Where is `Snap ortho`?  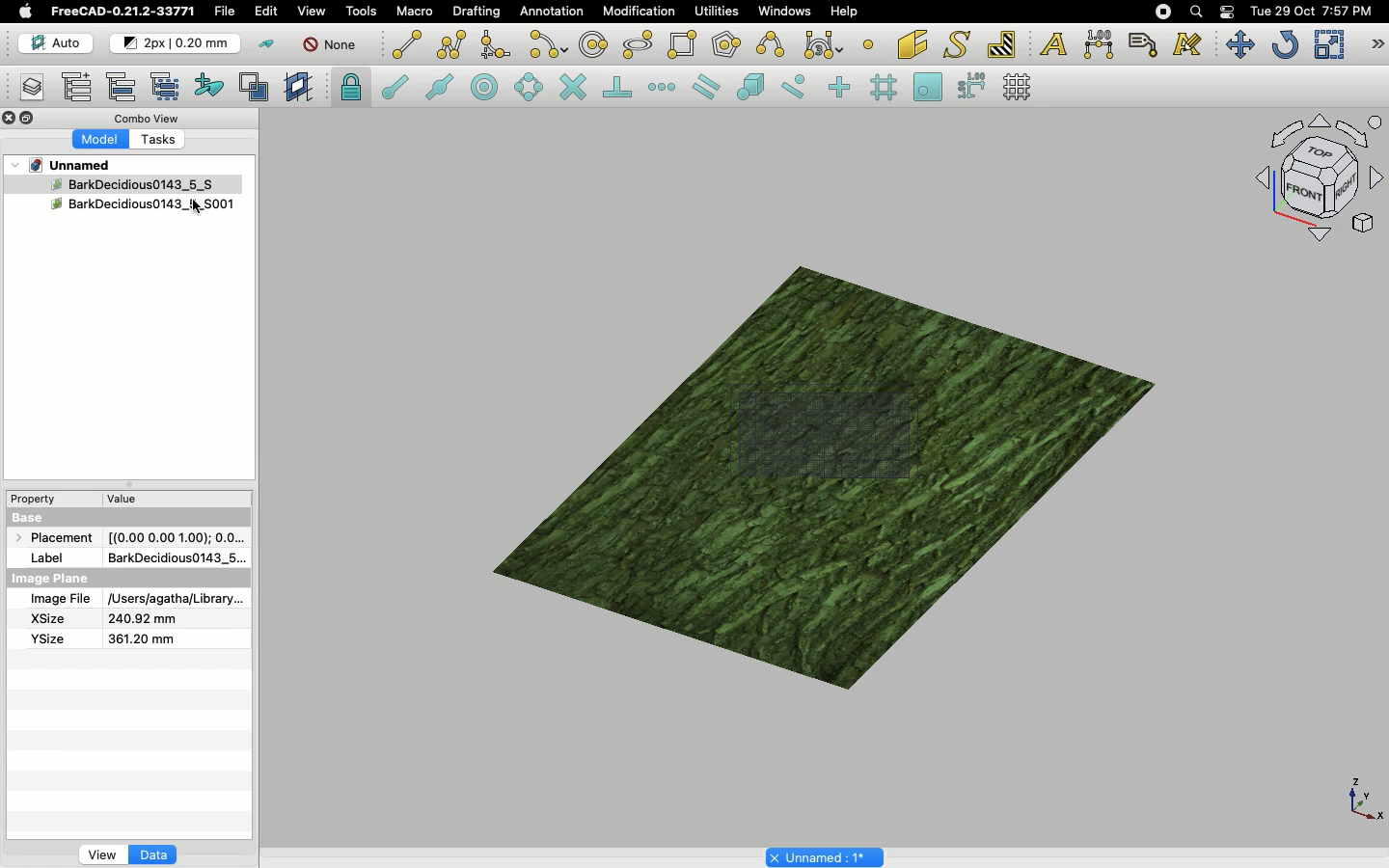
Snap ortho is located at coordinates (842, 89).